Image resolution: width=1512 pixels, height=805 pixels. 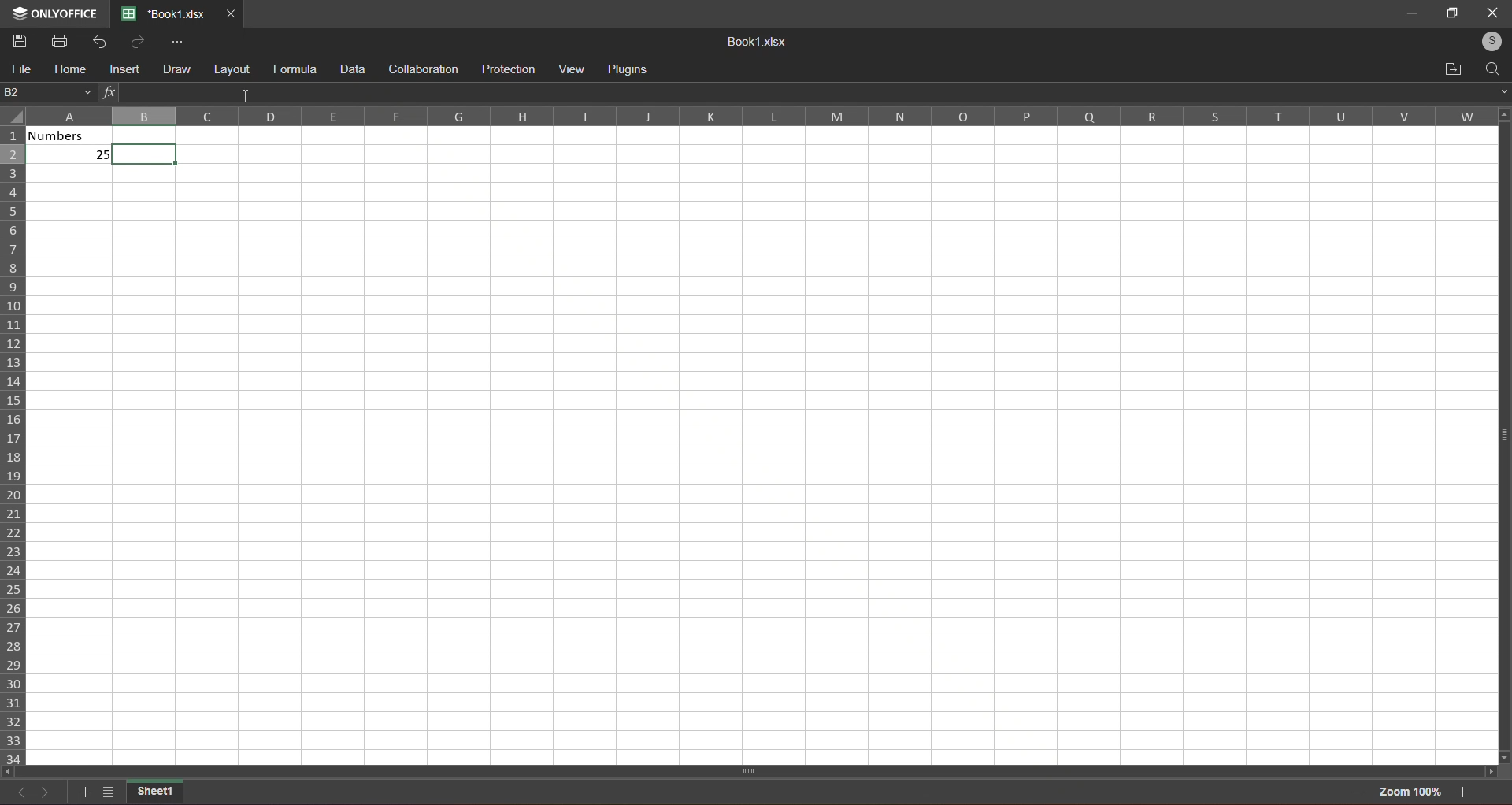 I want to click on formula, so click(x=293, y=69).